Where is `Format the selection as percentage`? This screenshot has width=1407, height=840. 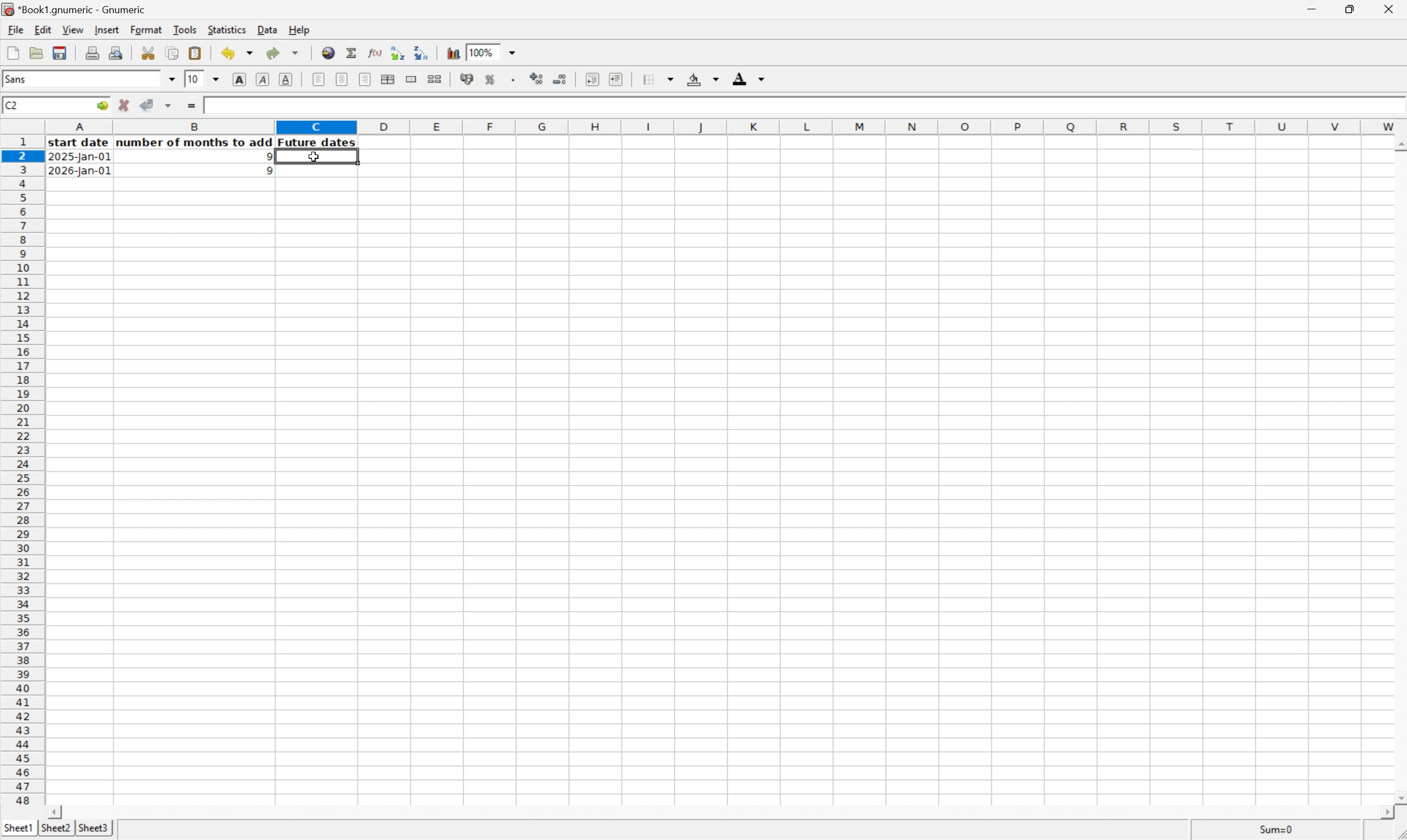 Format the selection as percentage is located at coordinates (491, 81).